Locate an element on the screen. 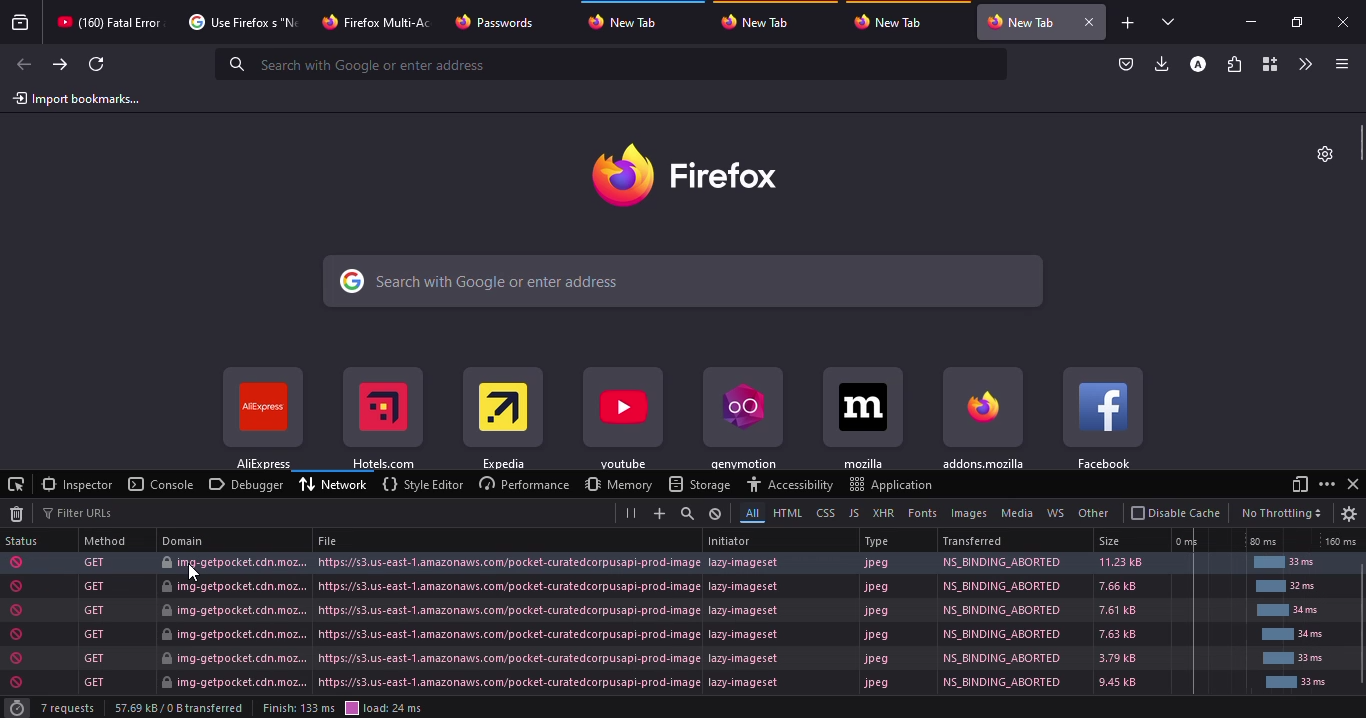 This screenshot has height=718, width=1366. domain is located at coordinates (186, 540).